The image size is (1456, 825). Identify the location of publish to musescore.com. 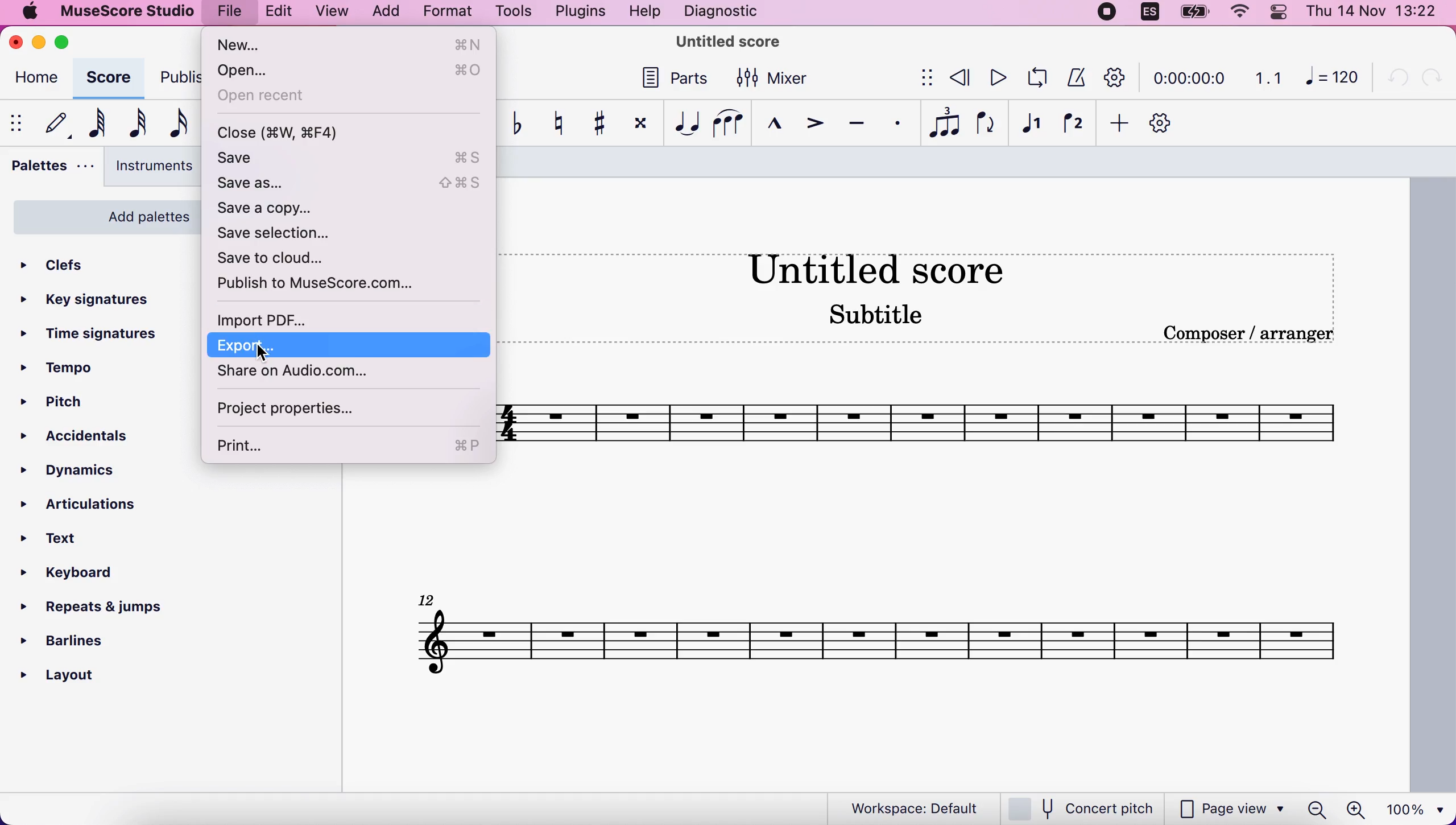
(338, 286).